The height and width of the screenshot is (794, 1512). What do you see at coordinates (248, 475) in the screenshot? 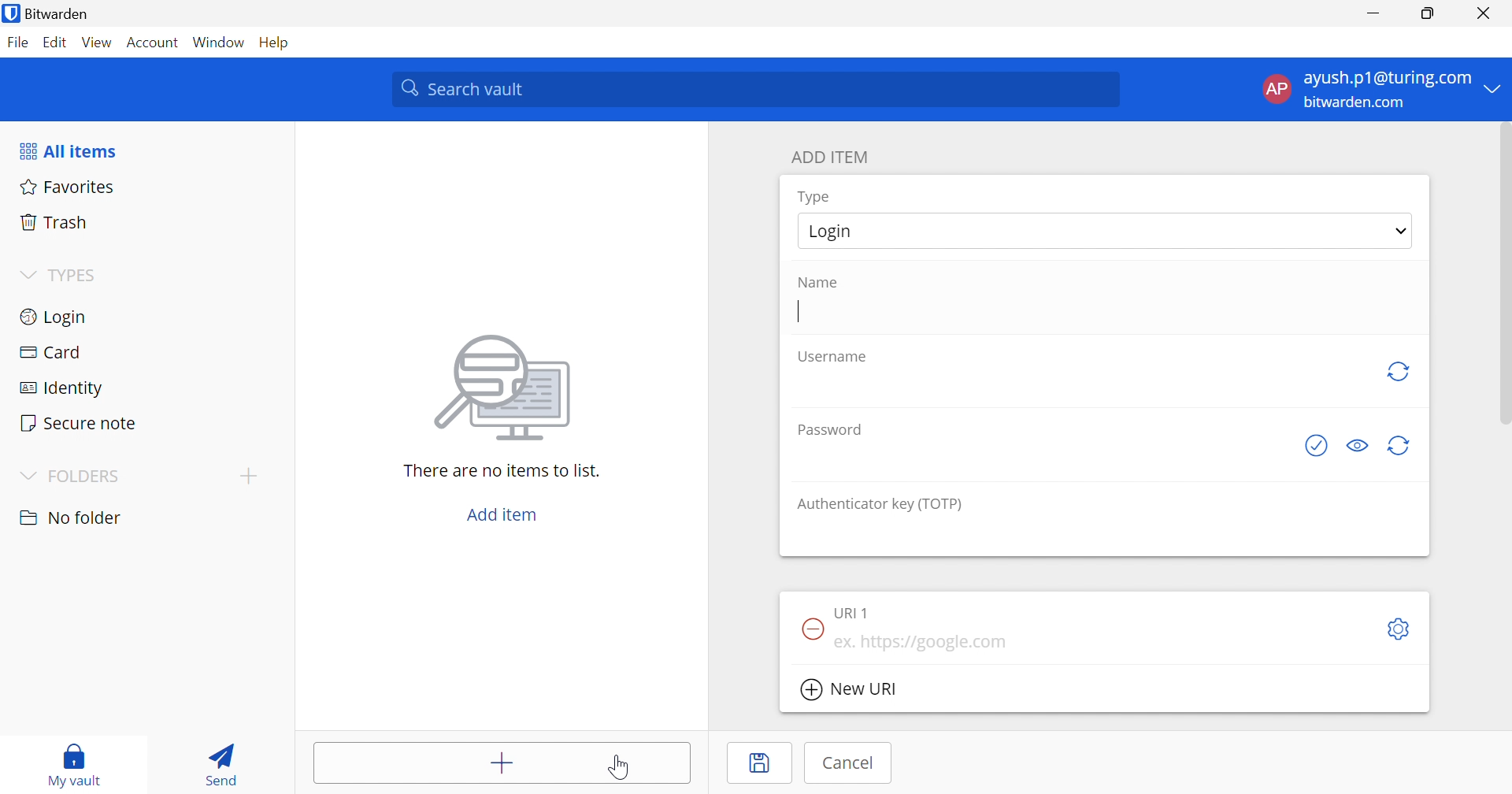
I see `Drop Down` at bounding box center [248, 475].